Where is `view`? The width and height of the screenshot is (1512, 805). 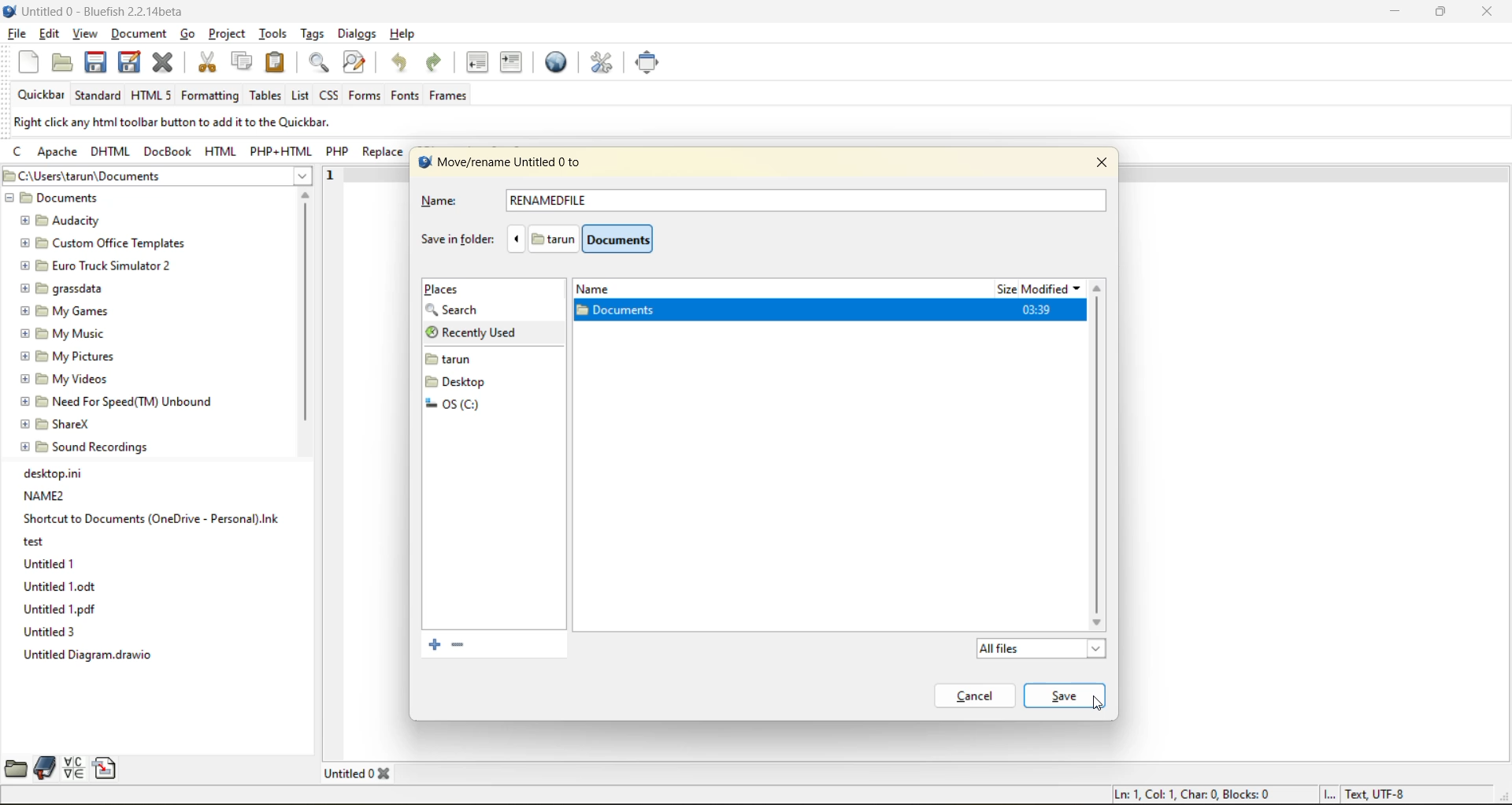
view is located at coordinates (83, 32).